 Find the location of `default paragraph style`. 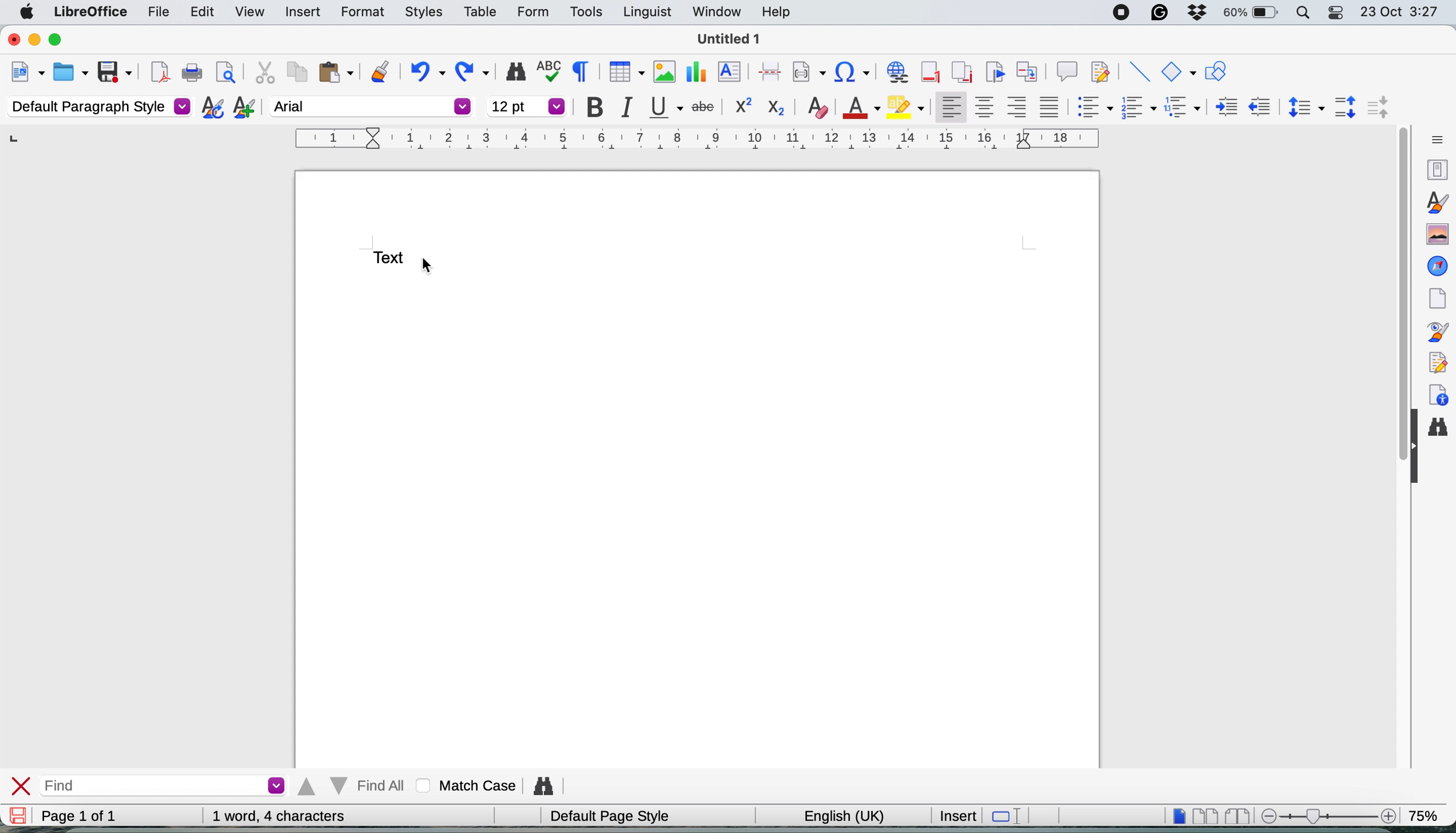

default paragraph style is located at coordinates (97, 108).